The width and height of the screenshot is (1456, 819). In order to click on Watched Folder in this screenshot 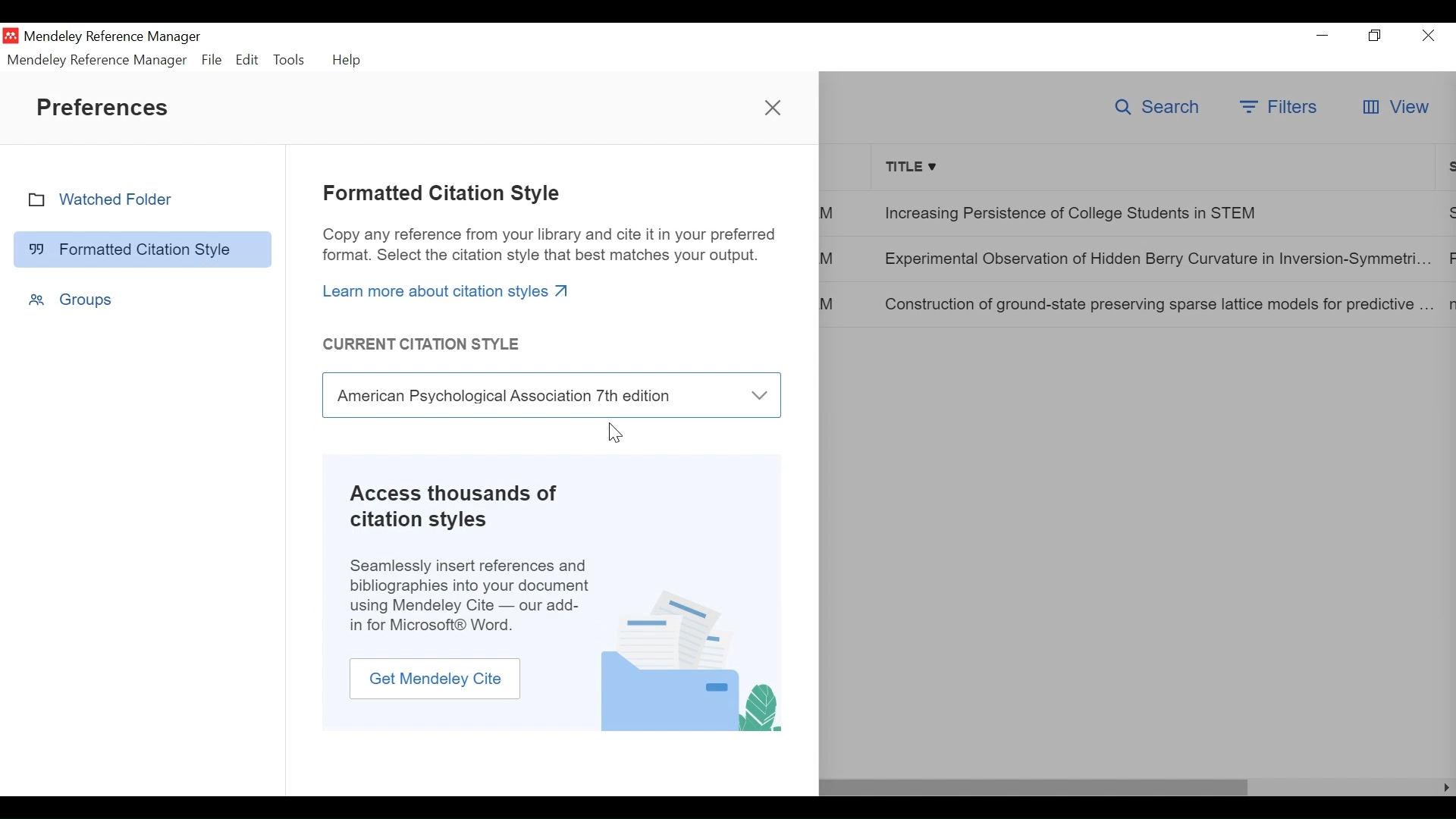, I will do `click(143, 199)`.